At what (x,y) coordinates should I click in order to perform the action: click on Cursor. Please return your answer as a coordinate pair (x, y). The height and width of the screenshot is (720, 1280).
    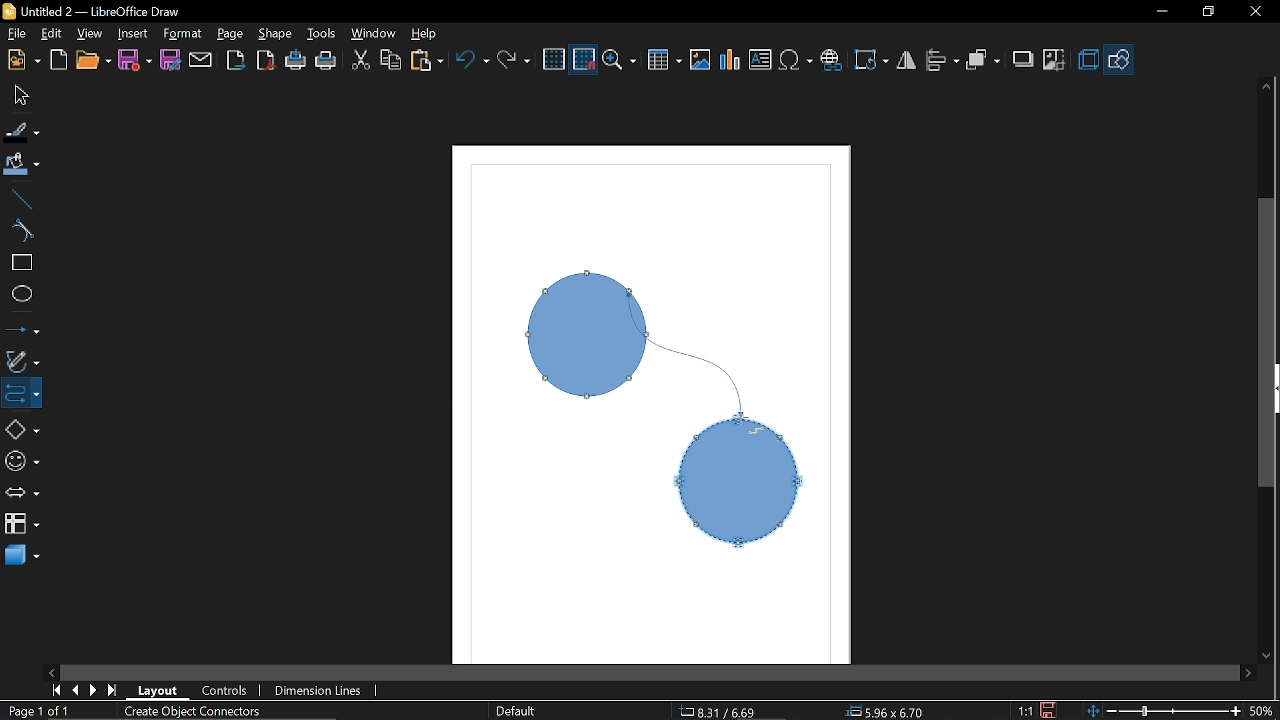
    Looking at the image, I should click on (754, 432).